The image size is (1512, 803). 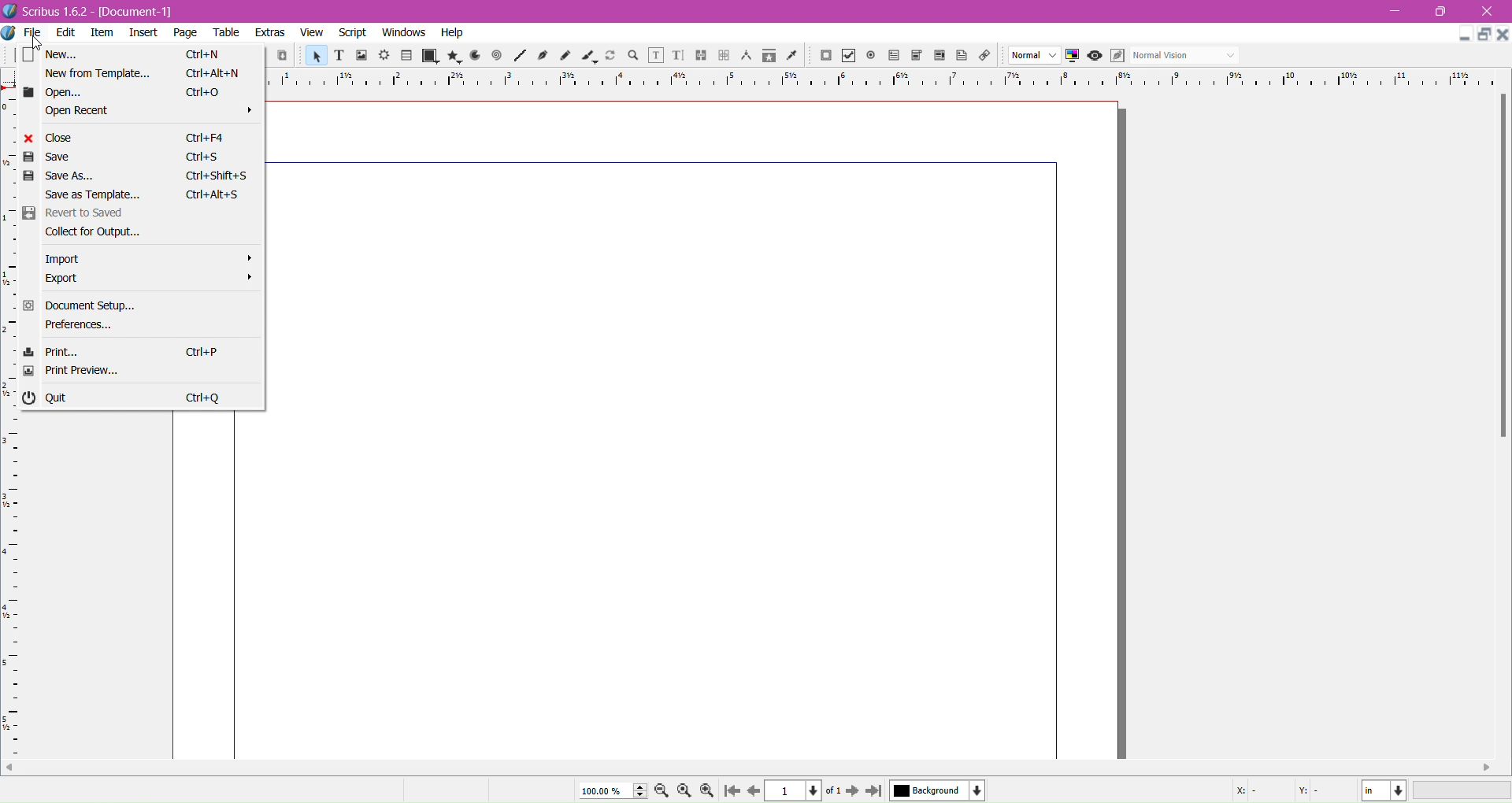 I want to click on Arc, so click(x=476, y=56).